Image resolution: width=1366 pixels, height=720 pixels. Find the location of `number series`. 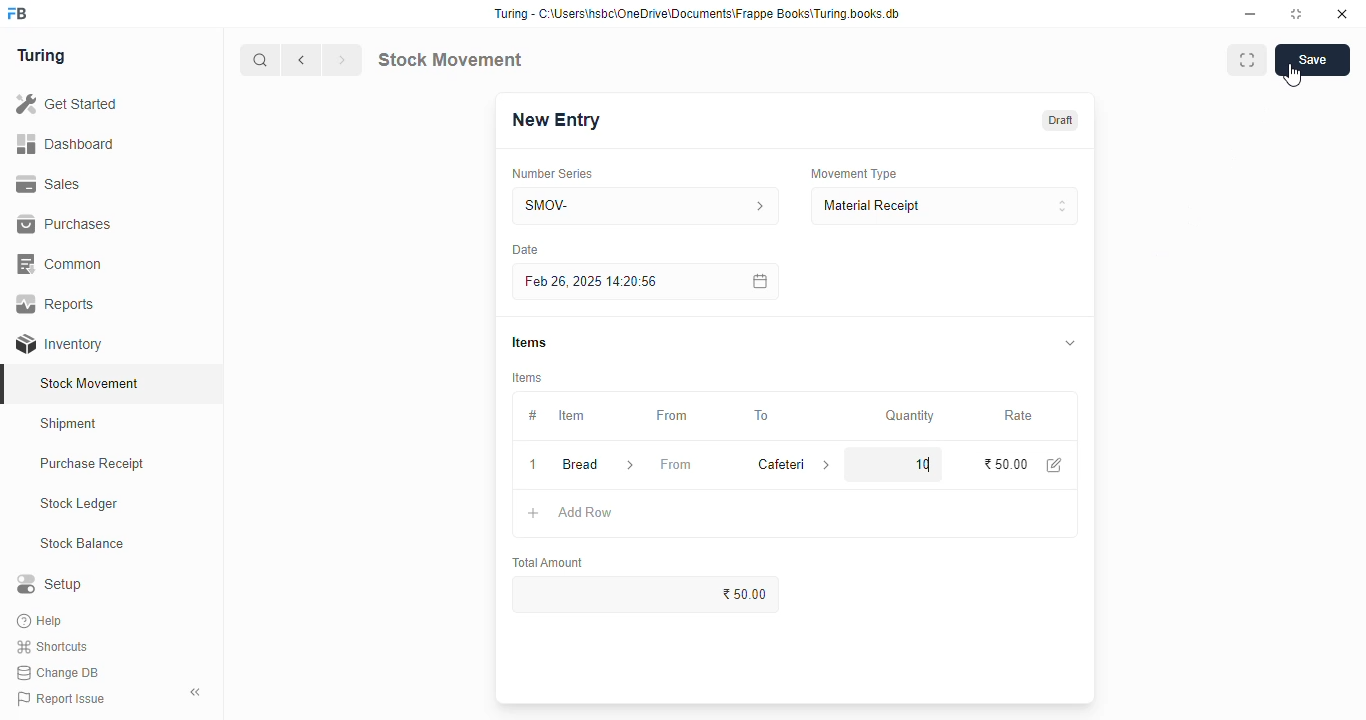

number series is located at coordinates (551, 174).